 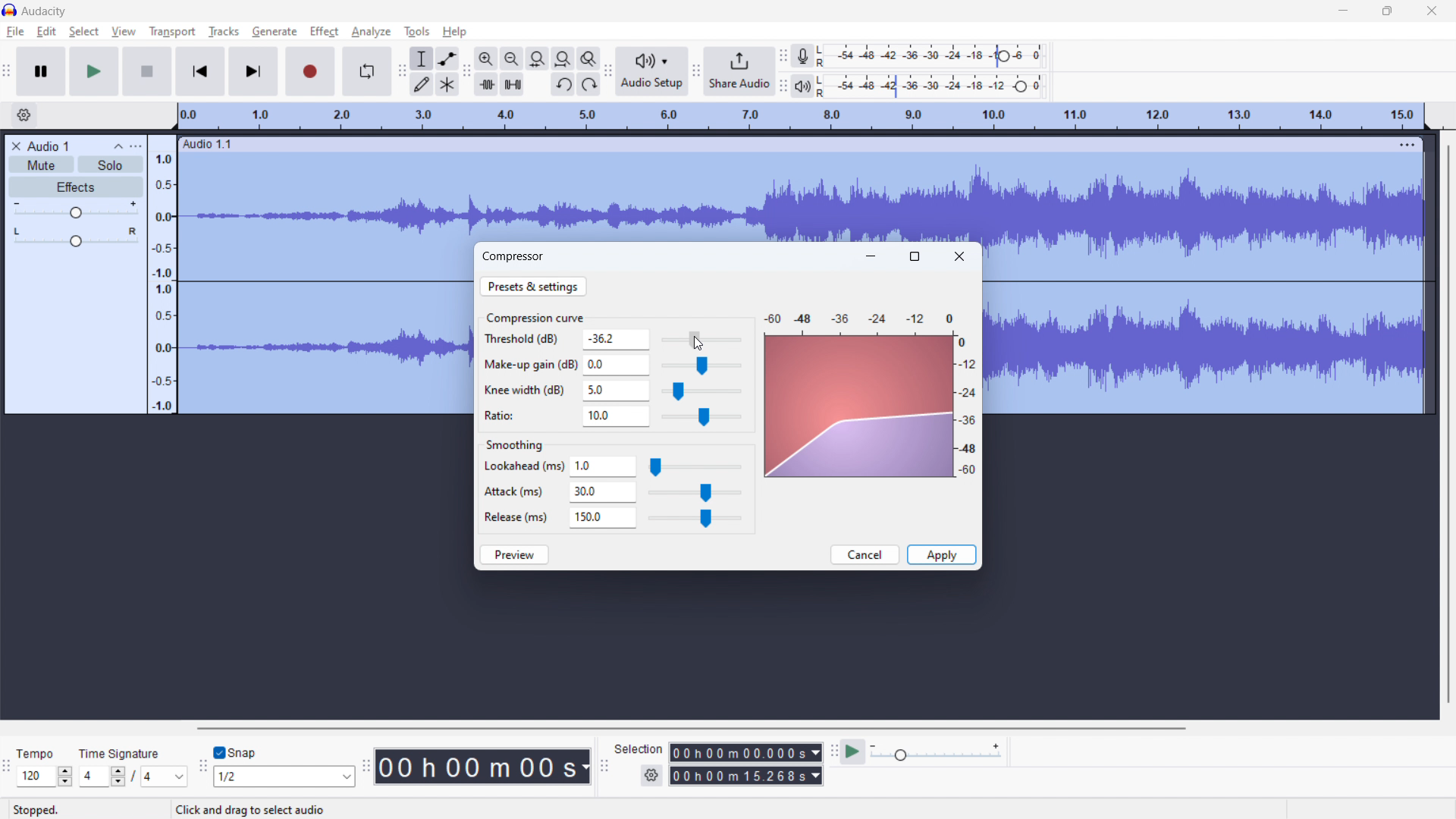 What do you see at coordinates (235, 753) in the screenshot?
I see `toggle snap` at bounding box center [235, 753].